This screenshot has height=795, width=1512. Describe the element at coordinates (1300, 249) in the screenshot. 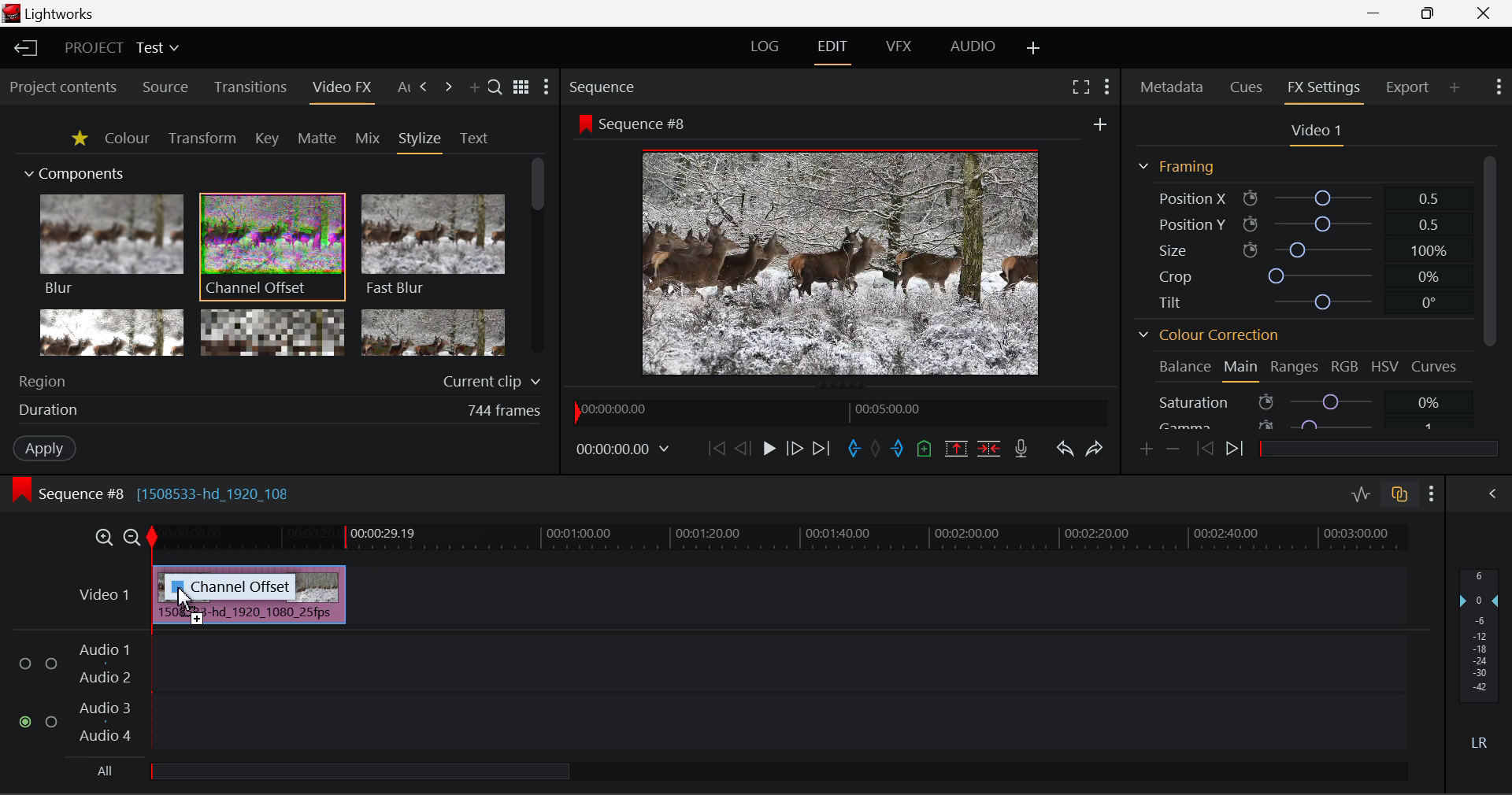

I see `Size` at that location.